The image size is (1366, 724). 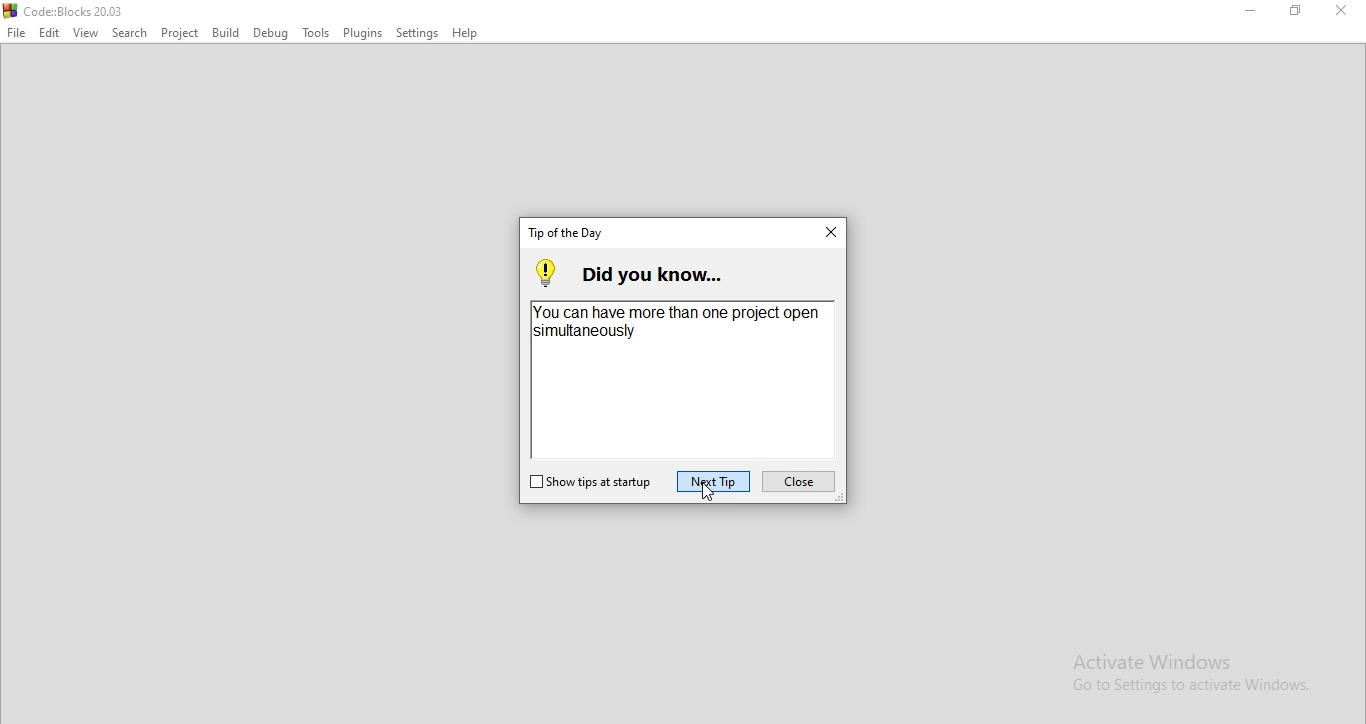 I want to click on Tools , so click(x=316, y=31).